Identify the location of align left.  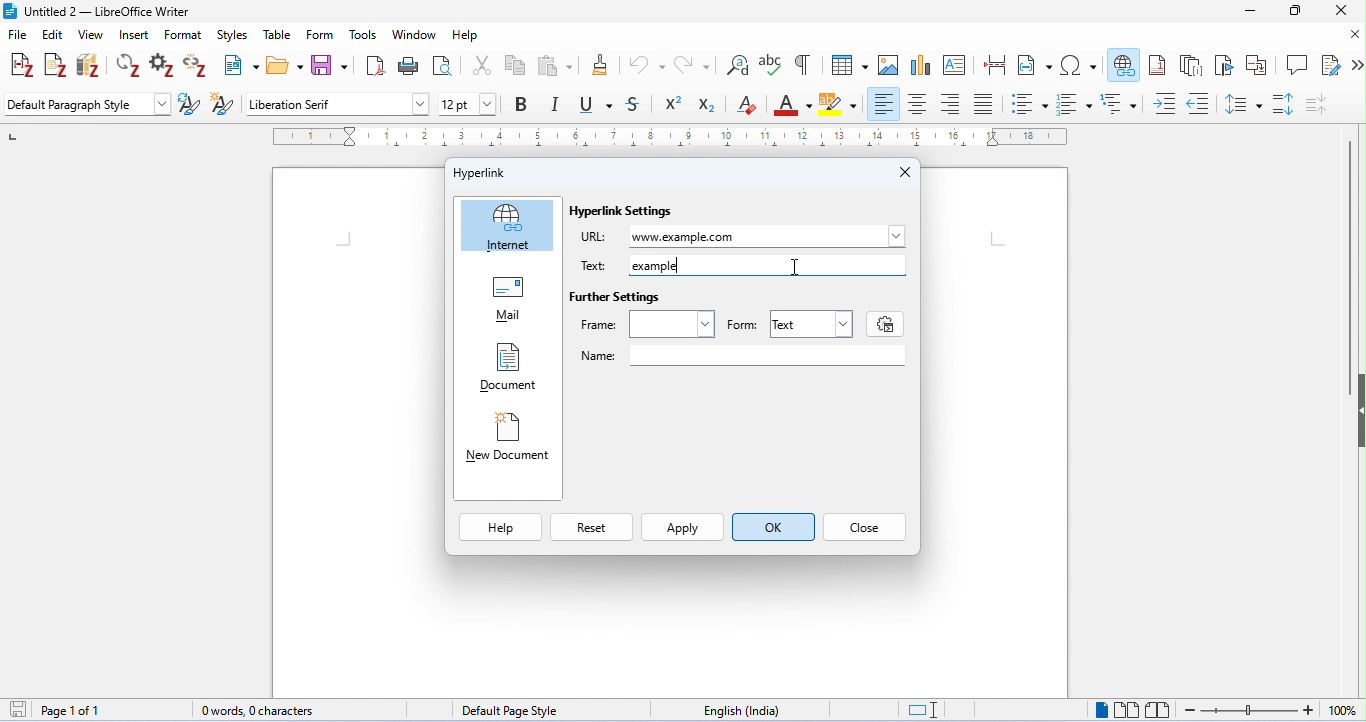
(884, 104).